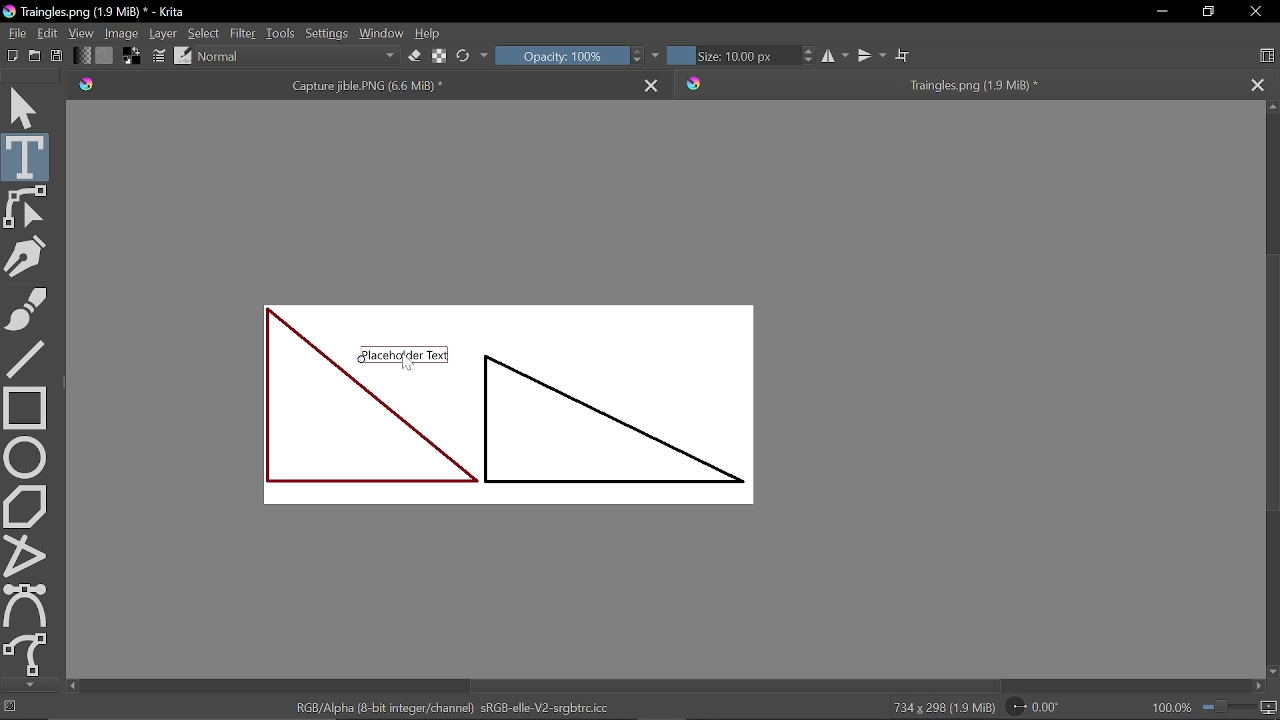 The width and height of the screenshot is (1280, 720). Describe the element at coordinates (1272, 671) in the screenshot. I see `Move down` at that location.